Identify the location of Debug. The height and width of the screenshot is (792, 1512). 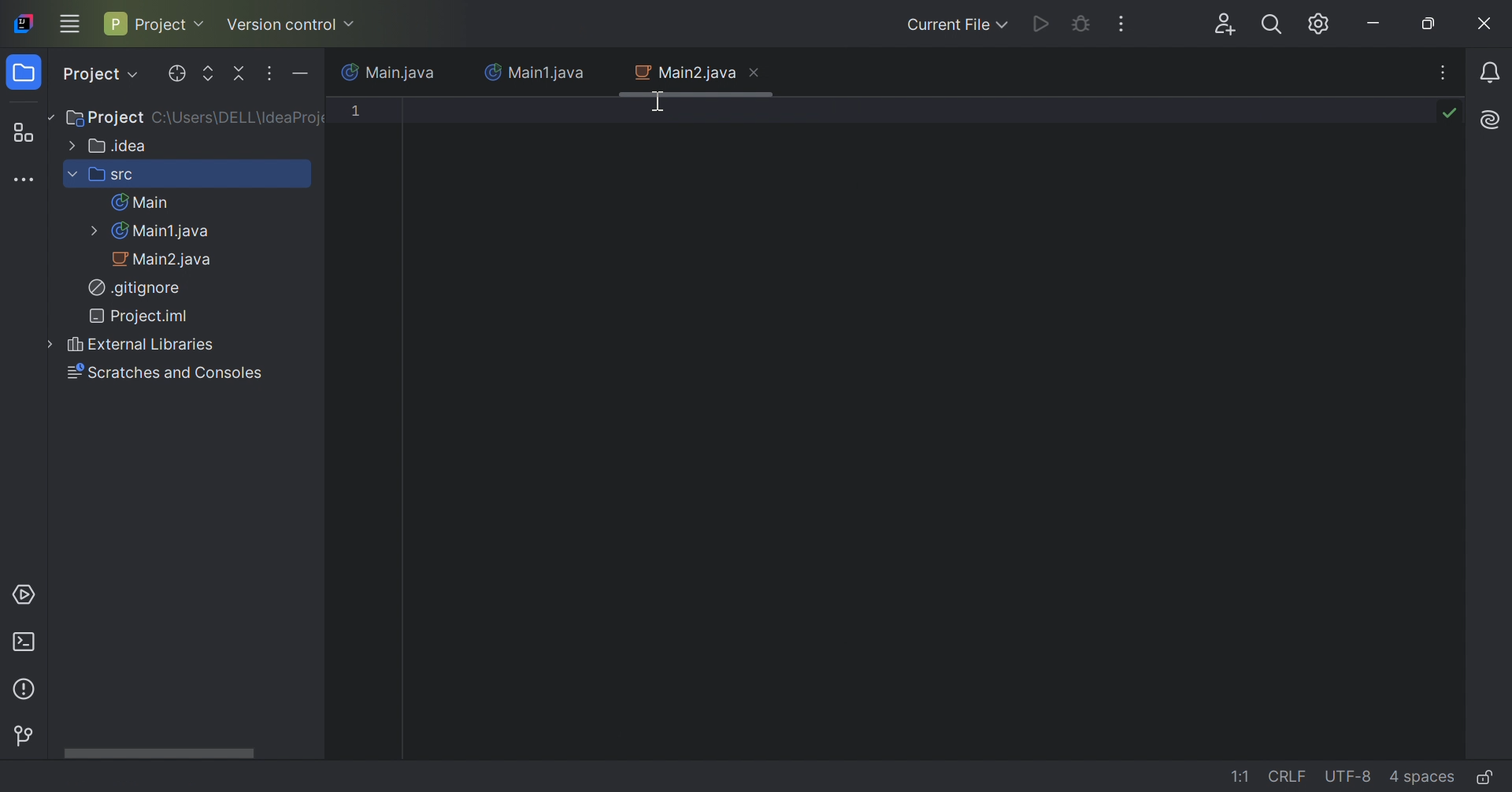
(1080, 26).